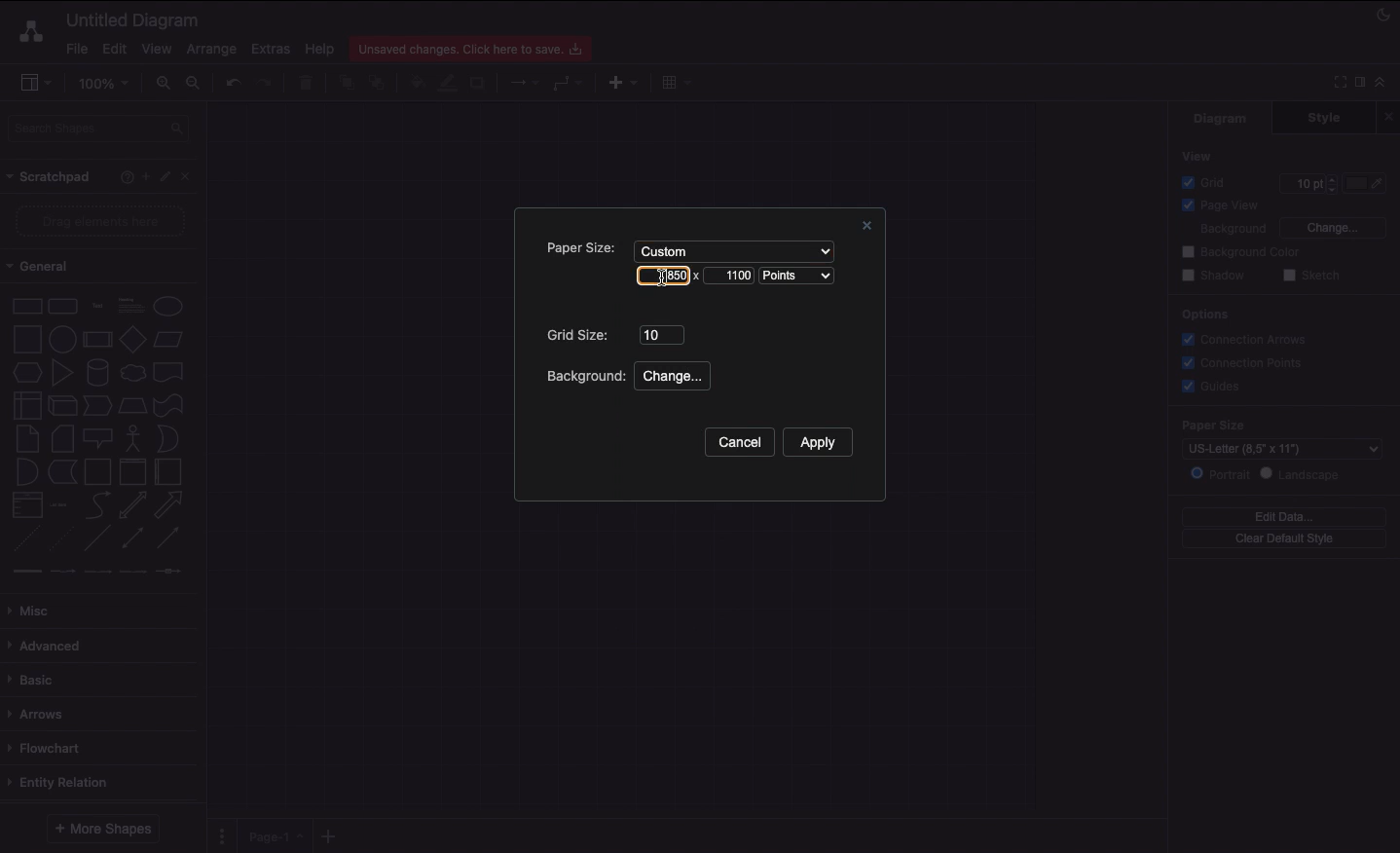 Image resolution: width=1400 pixels, height=853 pixels. I want to click on Trapezoid, so click(130, 406).